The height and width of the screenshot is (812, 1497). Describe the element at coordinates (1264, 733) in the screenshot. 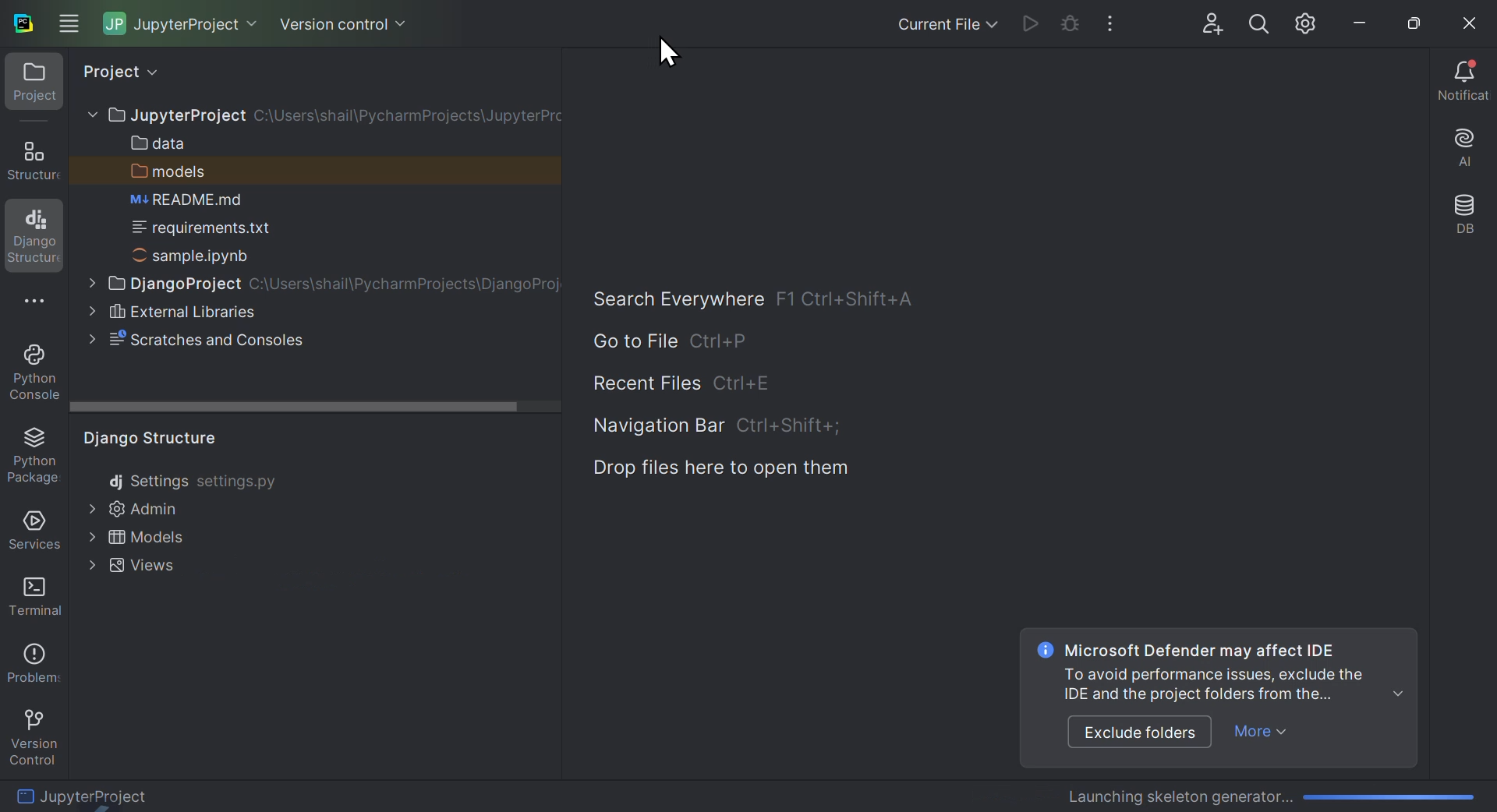

I see `More` at that location.